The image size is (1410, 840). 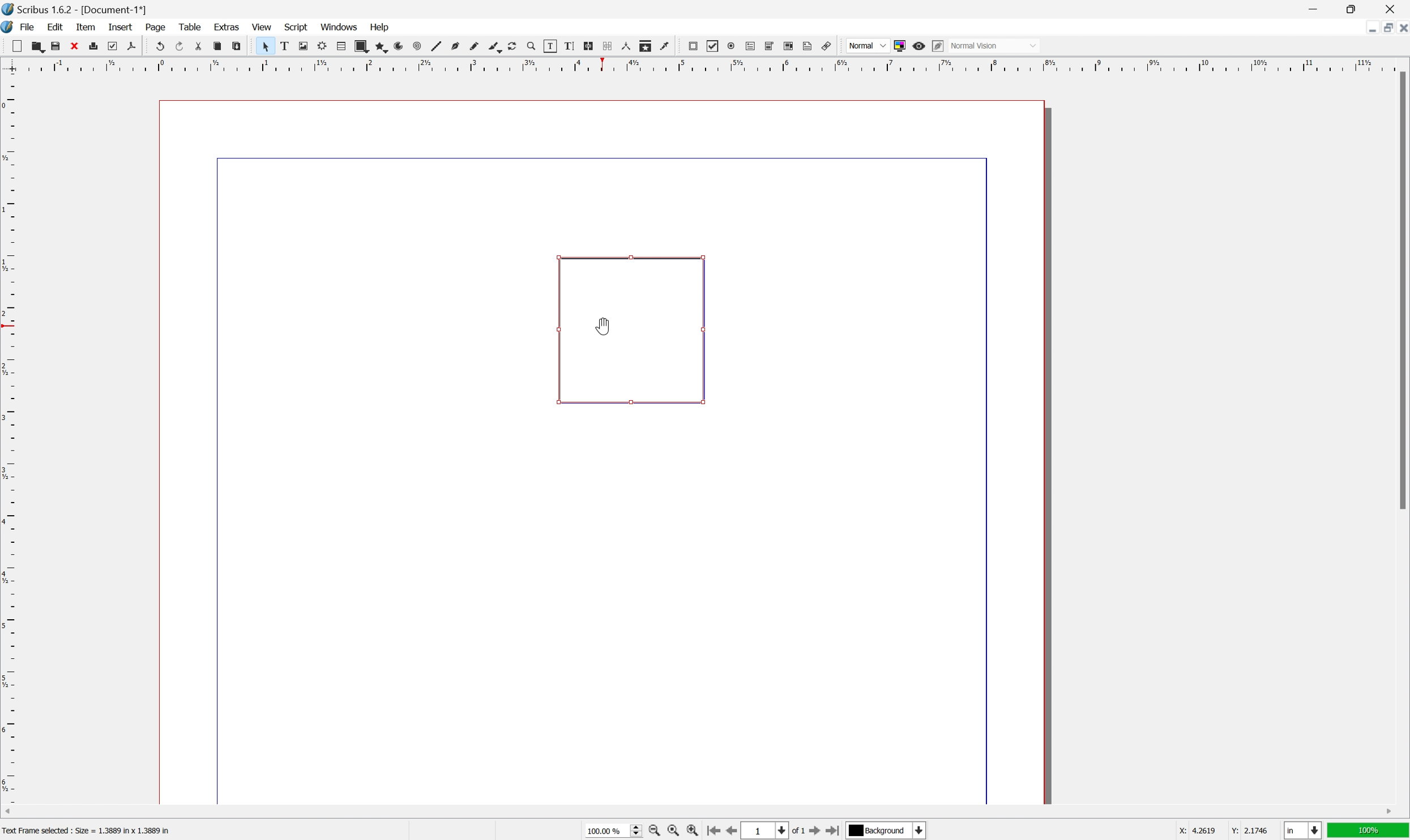 What do you see at coordinates (303, 46) in the screenshot?
I see `image frame` at bounding box center [303, 46].